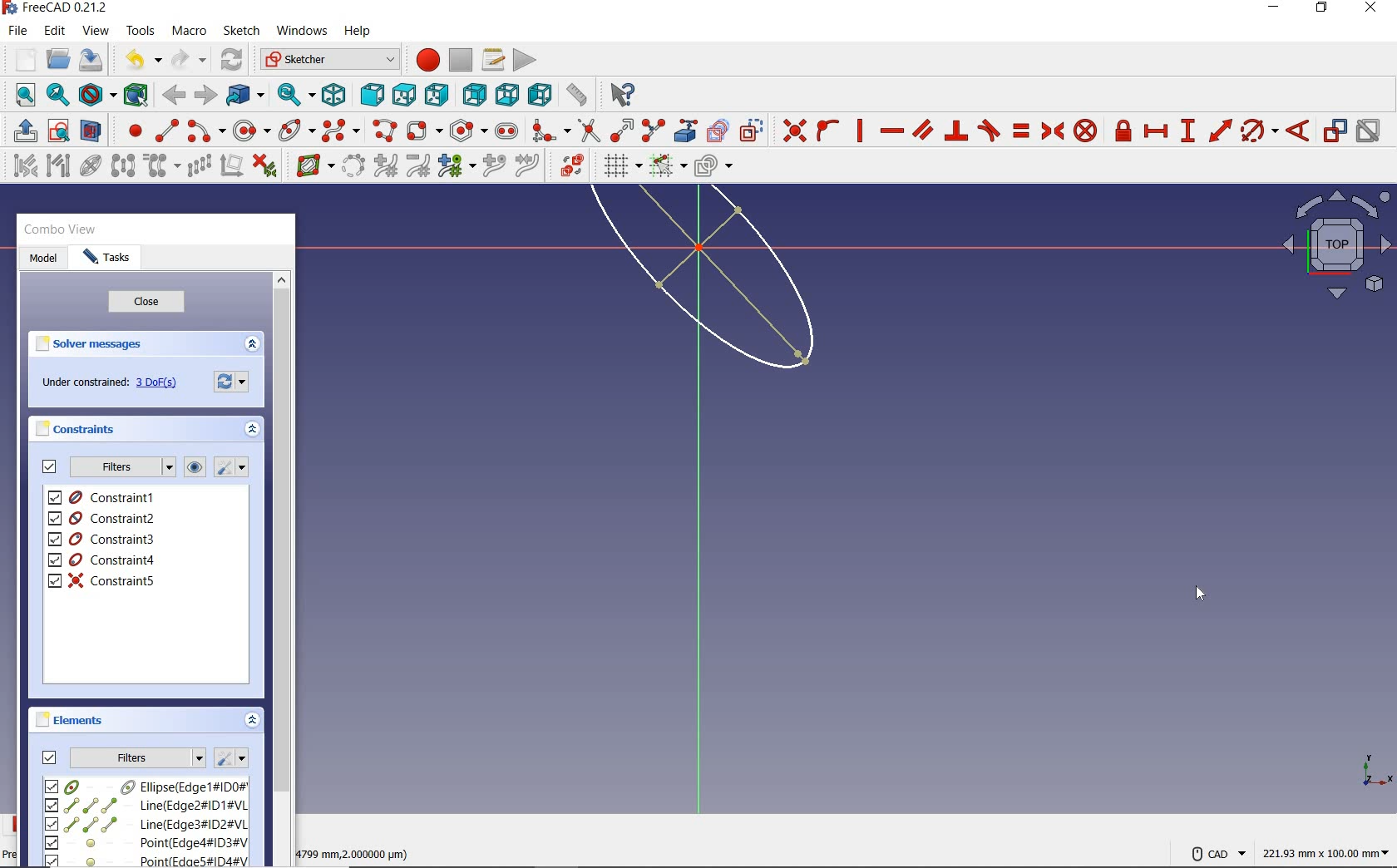 Image resolution: width=1397 pixels, height=868 pixels. What do you see at coordinates (571, 165) in the screenshot?
I see `switch virtual space` at bounding box center [571, 165].